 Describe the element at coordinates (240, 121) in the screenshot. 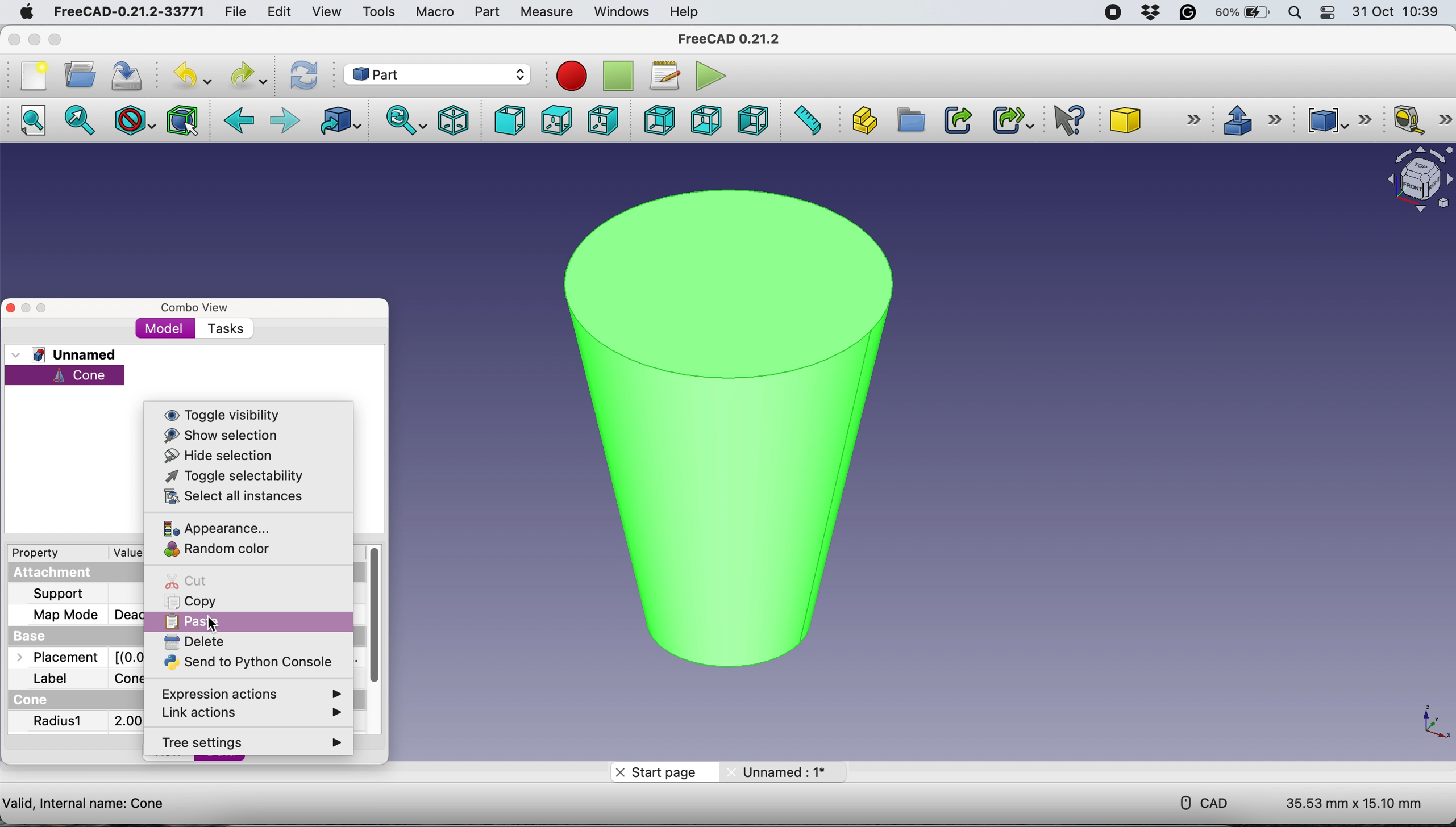

I see `back` at that location.